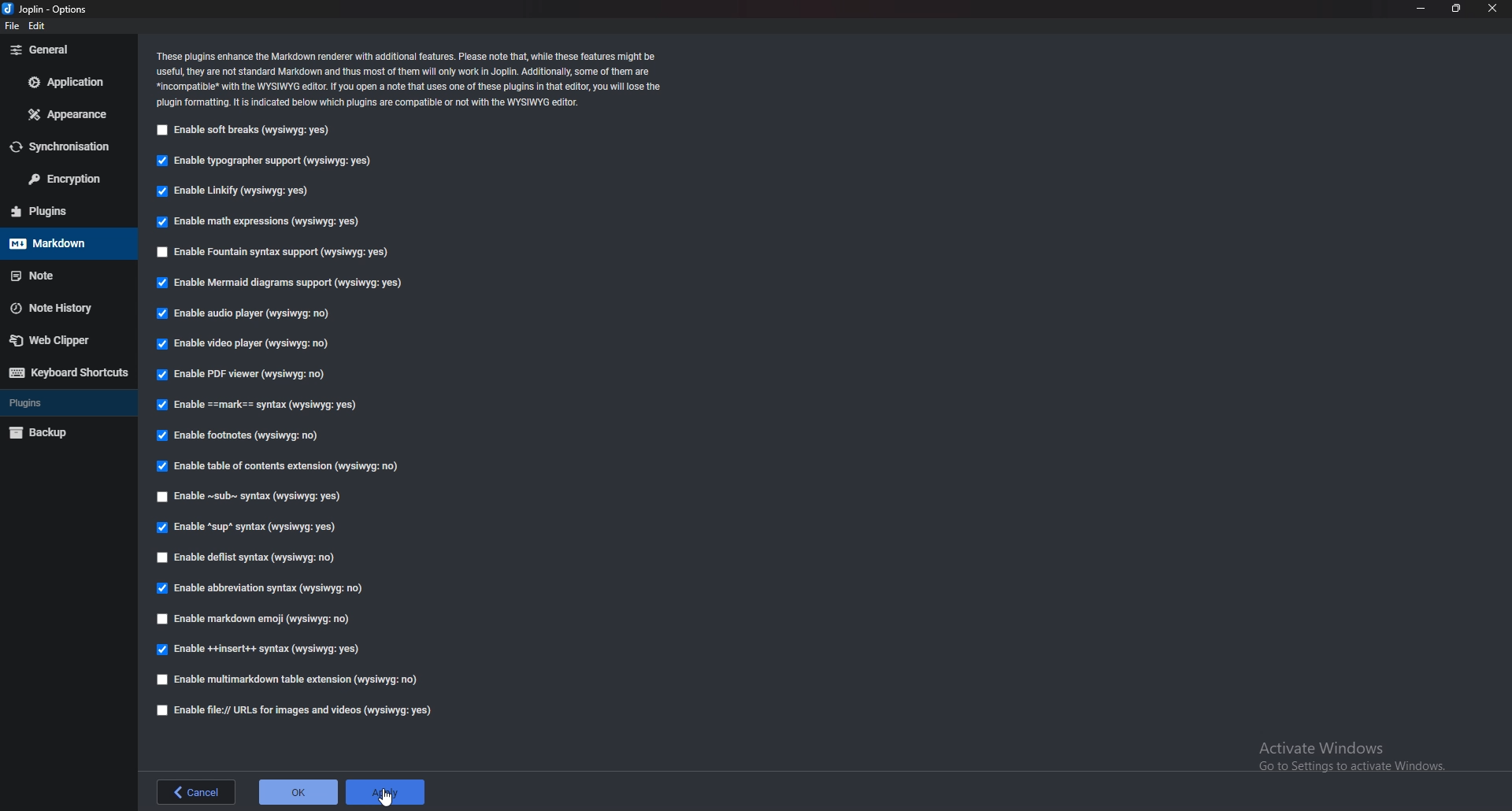 This screenshot has height=811, width=1512. I want to click on enable markdown emoji, so click(250, 620).